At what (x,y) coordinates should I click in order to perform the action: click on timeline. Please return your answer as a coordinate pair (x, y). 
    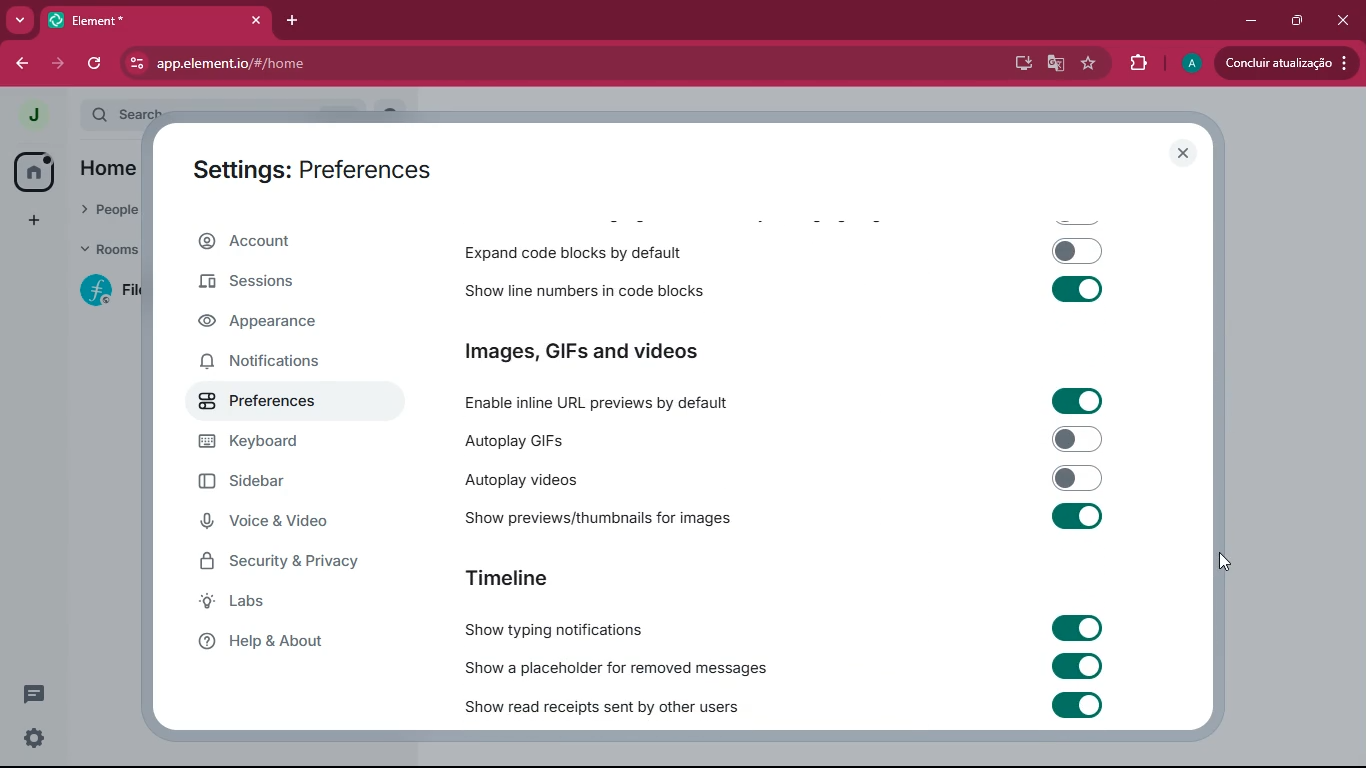
    Looking at the image, I should click on (508, 577).